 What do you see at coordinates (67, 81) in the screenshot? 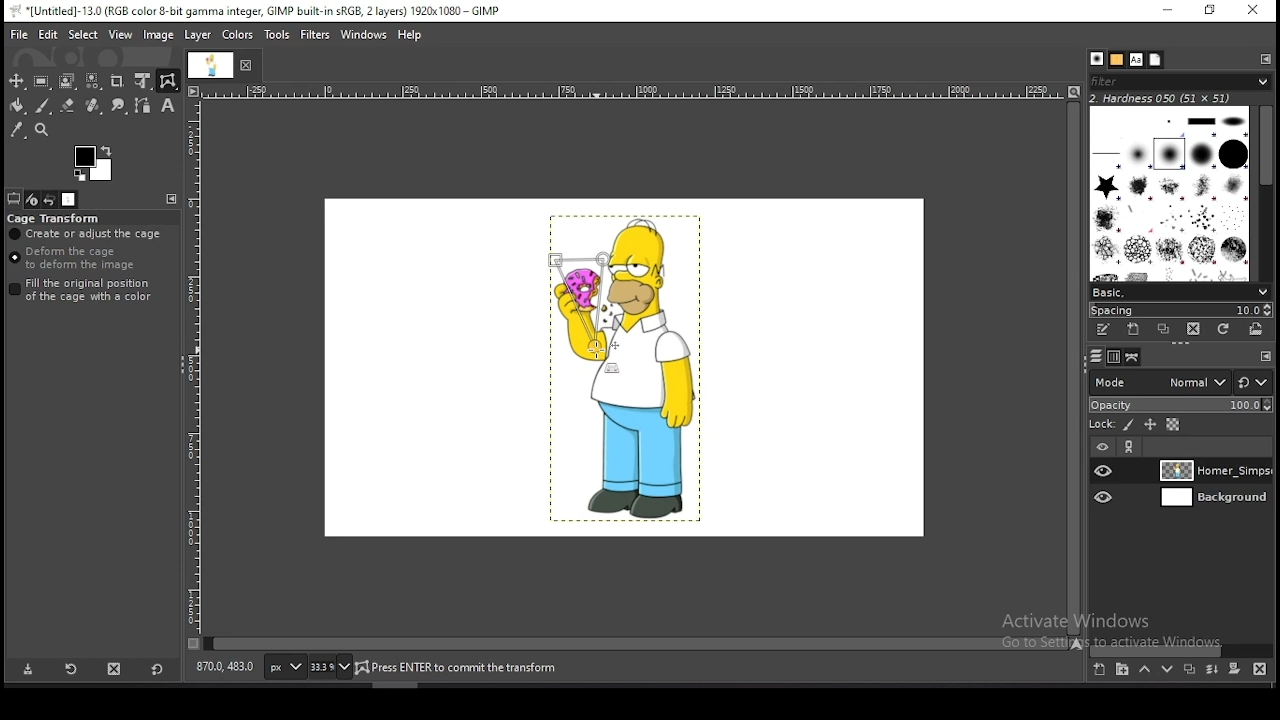
I see `foreground select tool` at bounding box center [67, 81].